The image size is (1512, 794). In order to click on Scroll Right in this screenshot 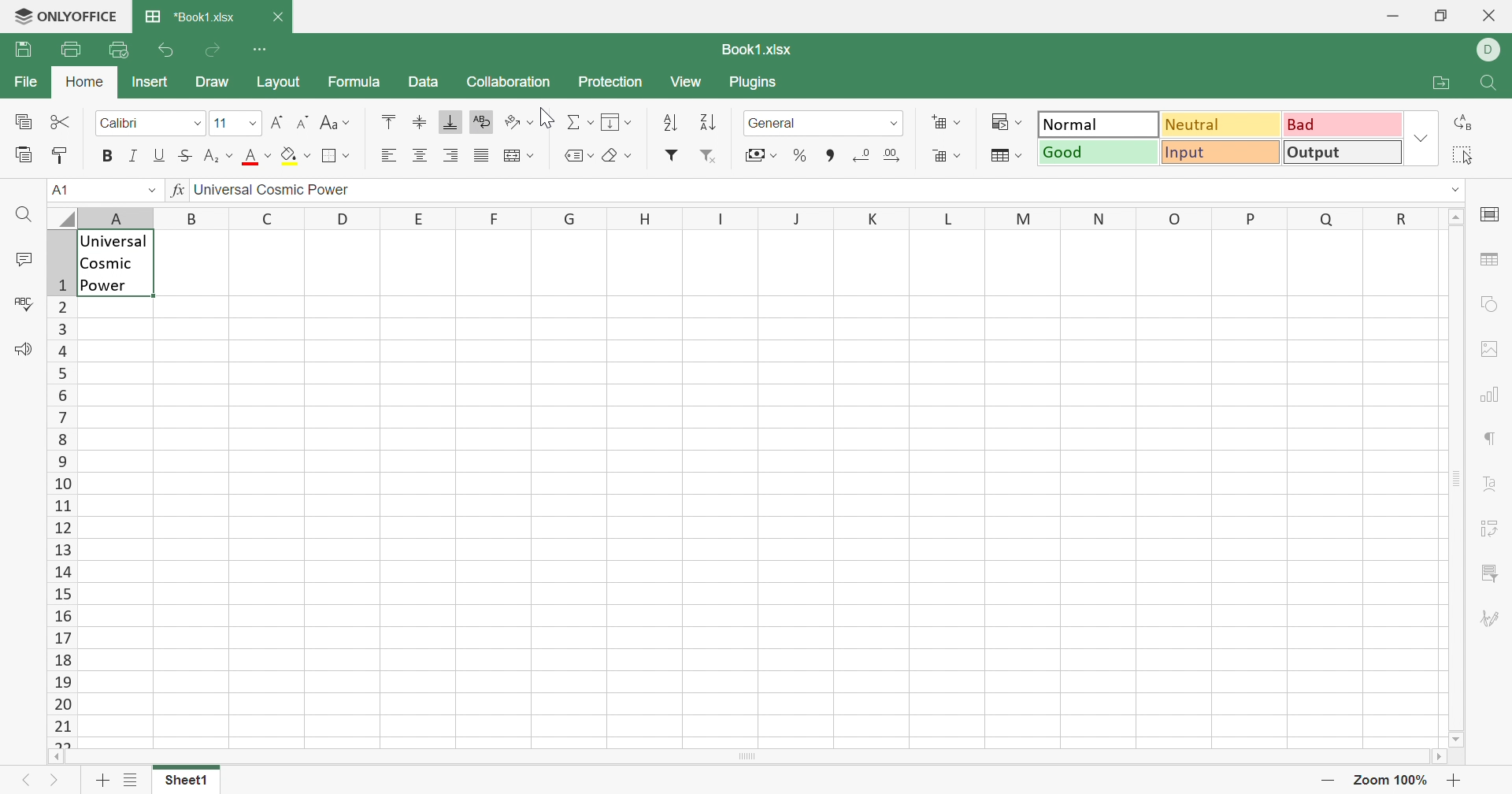, I will do `click(1440, 758)`.